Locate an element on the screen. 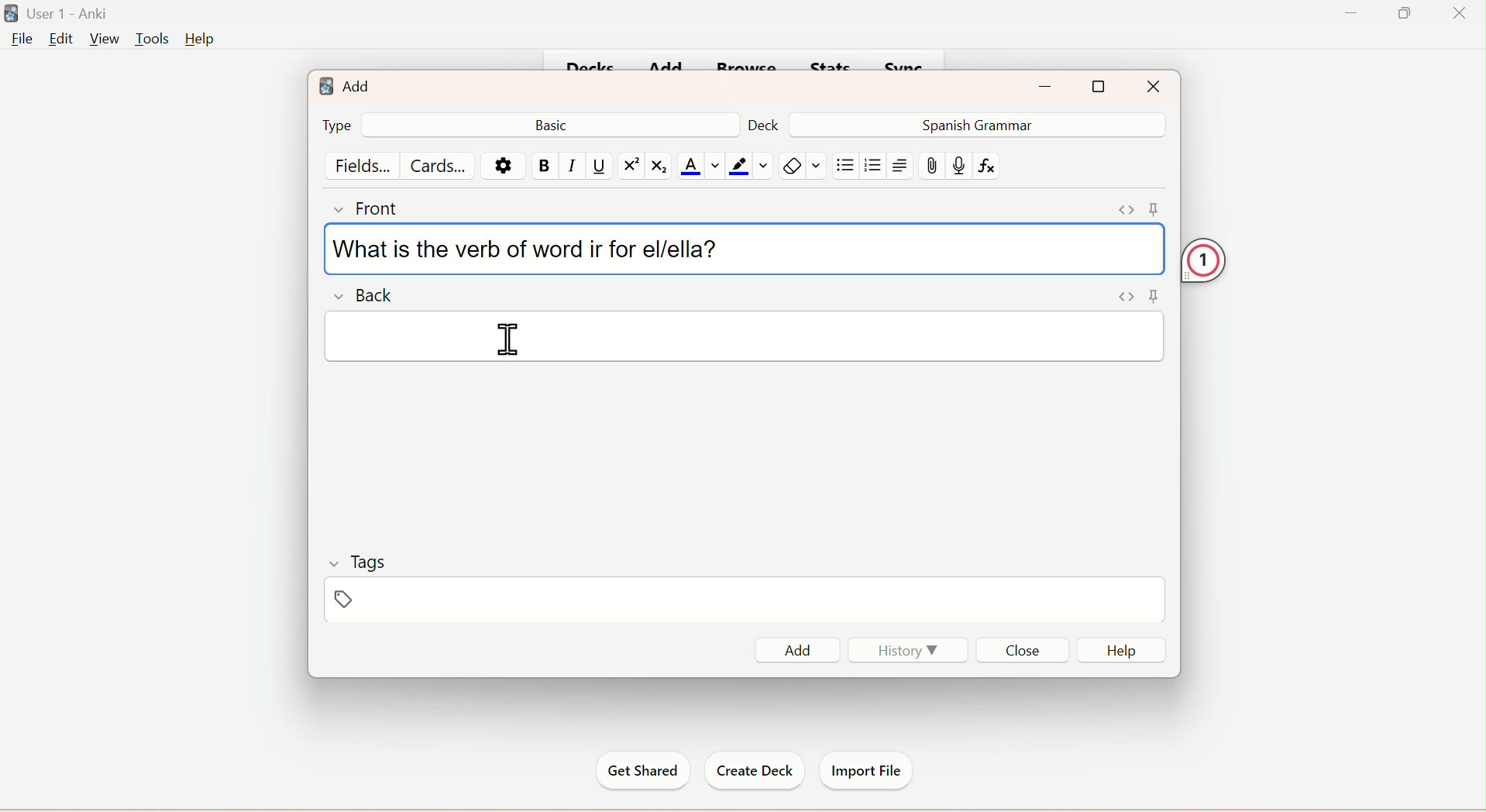 This screenshot has width=1486, height=812. Get Started is located at coordinates (645, 771).